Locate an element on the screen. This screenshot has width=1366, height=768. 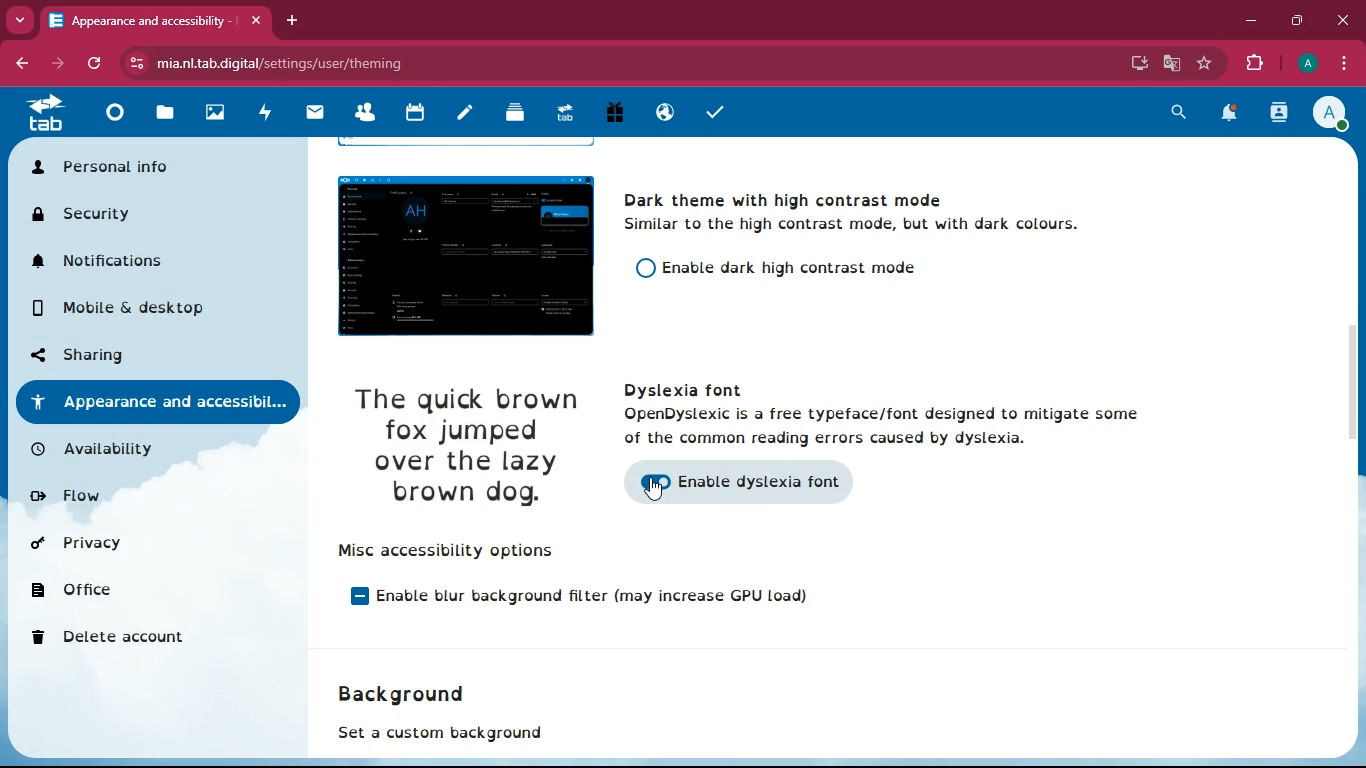
url is located at coordinates (282, 63).